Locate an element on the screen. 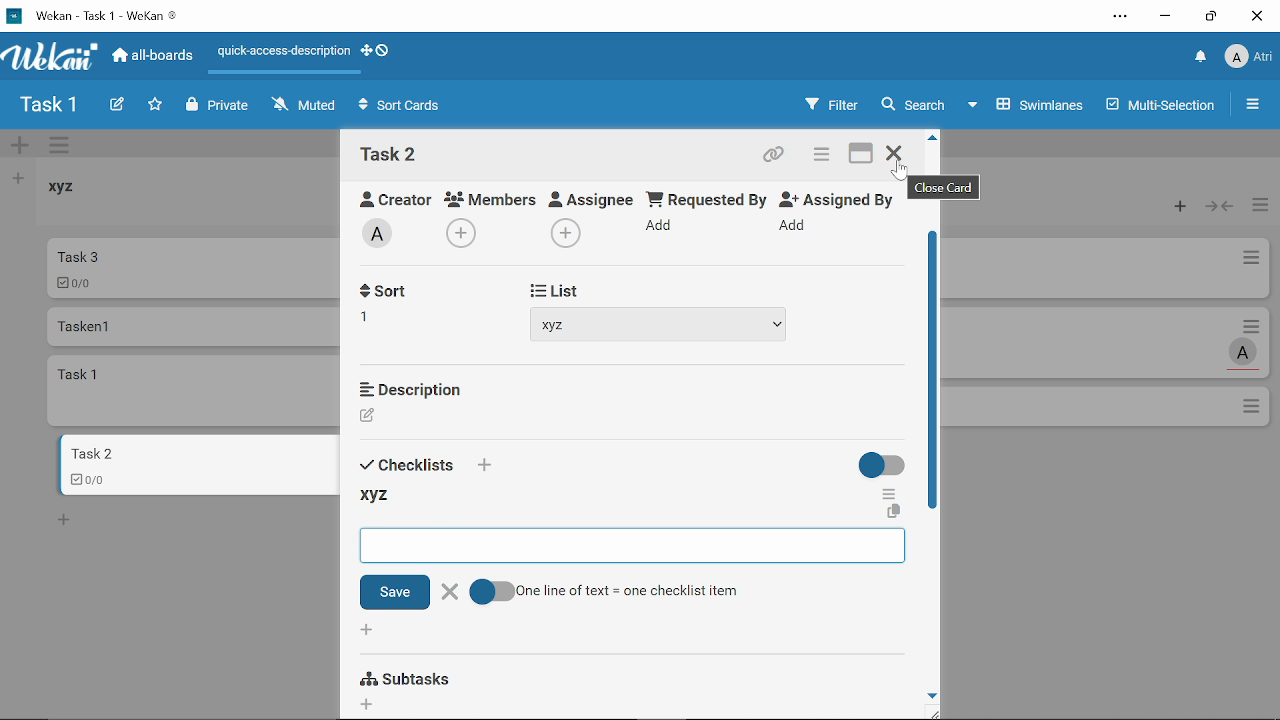 The height and width of the screenshot is (720, 1280). Requested By is located at coordinates (707, 198).